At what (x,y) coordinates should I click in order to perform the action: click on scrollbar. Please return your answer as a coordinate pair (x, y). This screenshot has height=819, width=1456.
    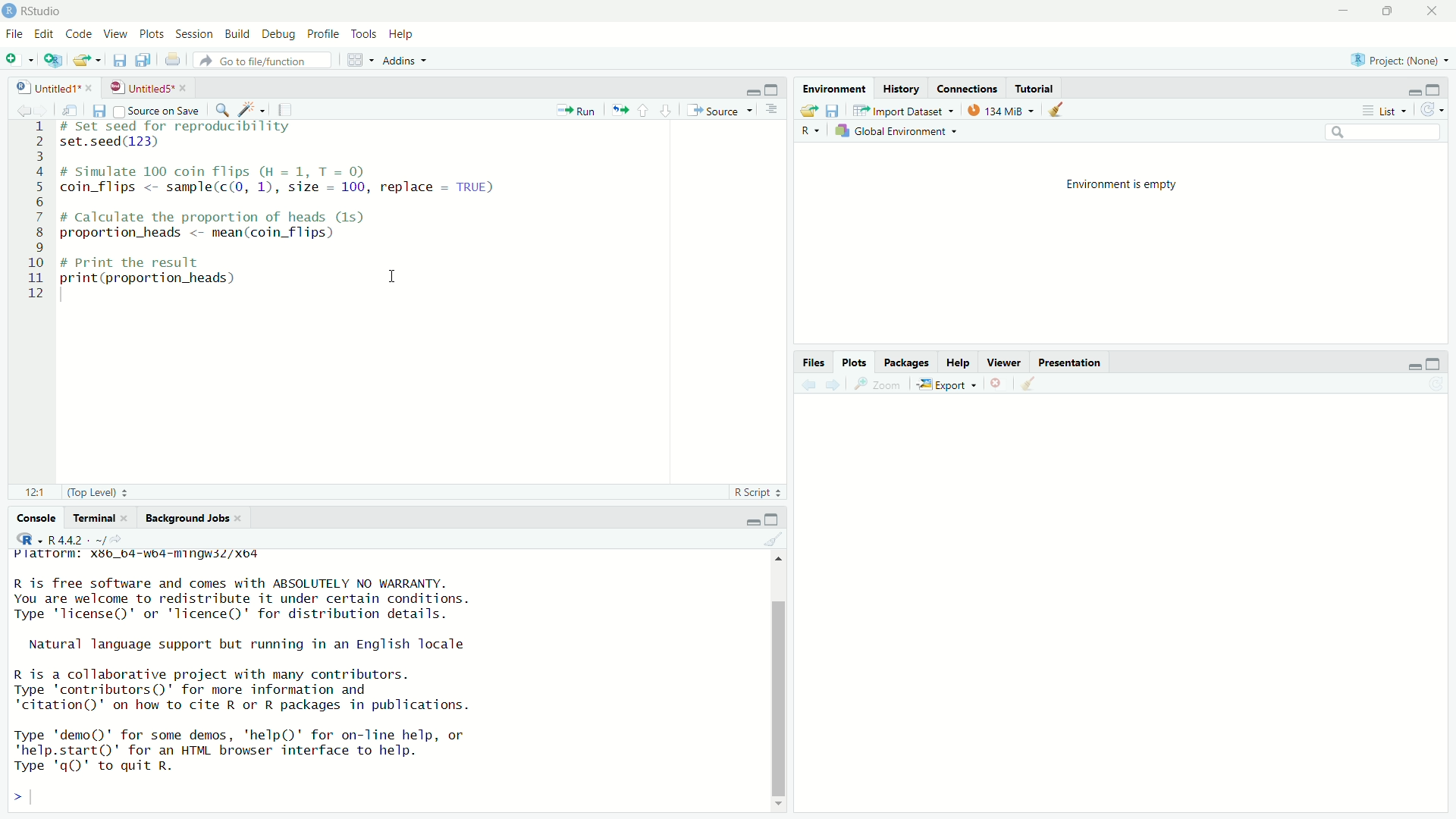
    Looking at the image, I should click on (777, 682).